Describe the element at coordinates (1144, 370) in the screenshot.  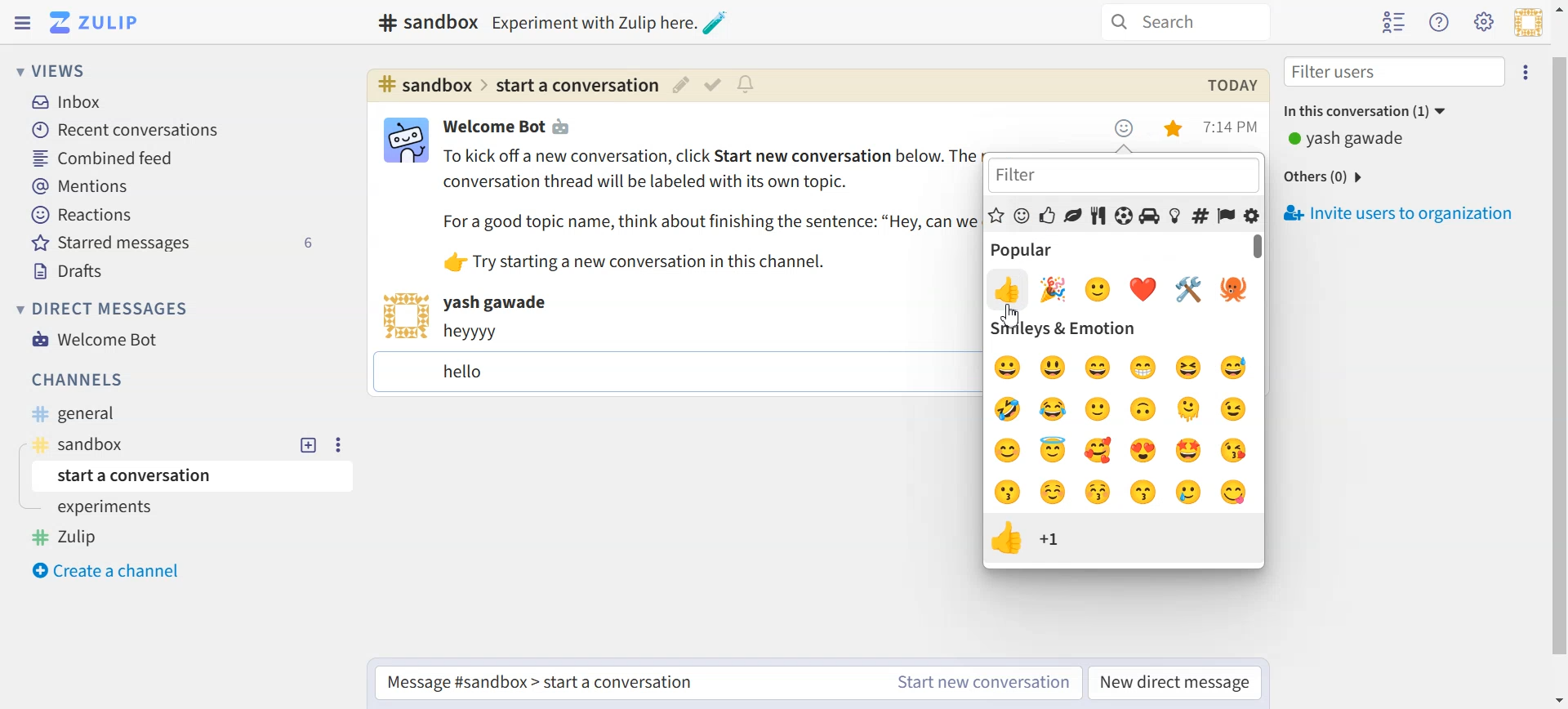
I see `grinning face with smile` at that location.